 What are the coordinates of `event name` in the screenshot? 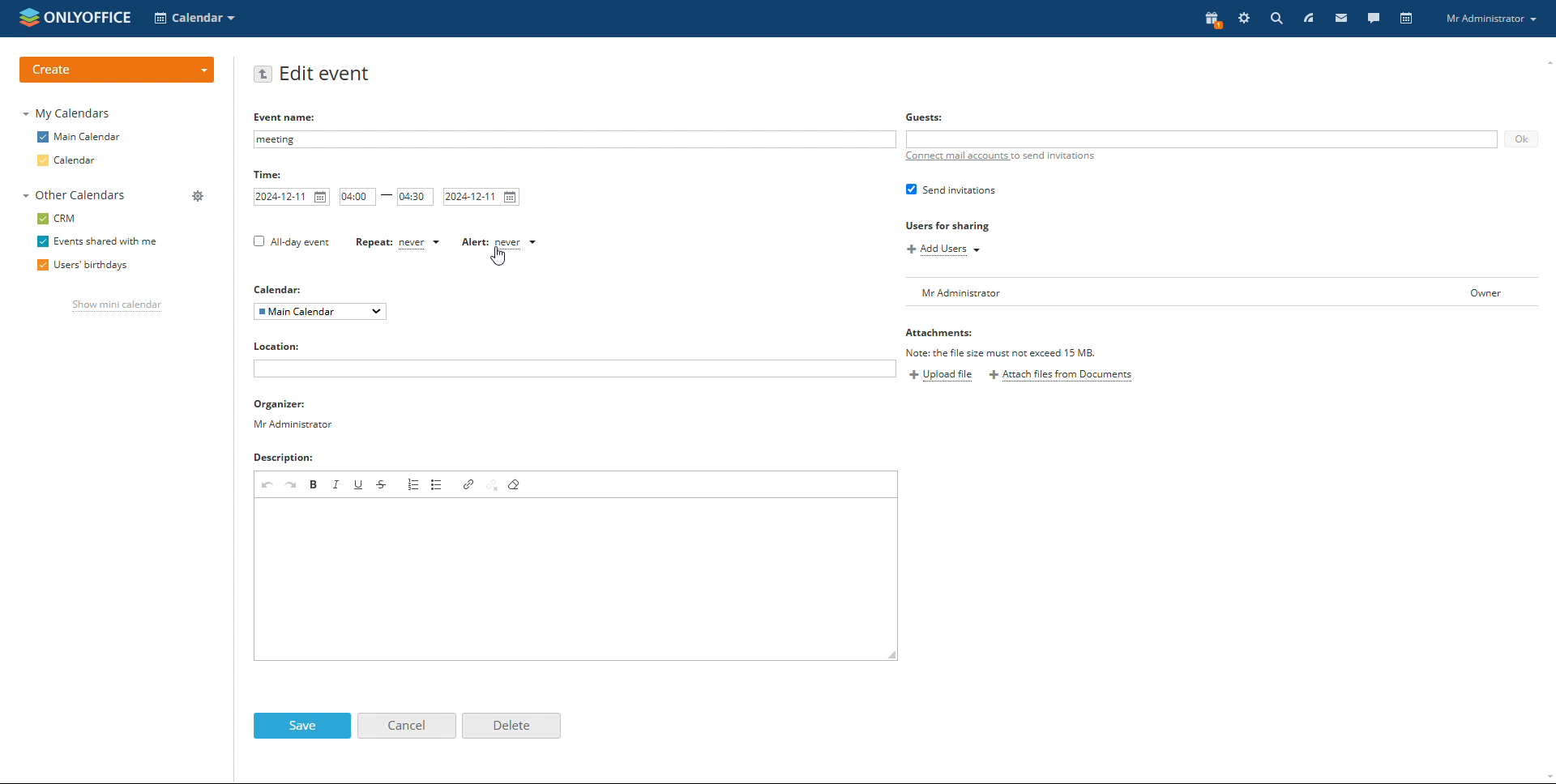 It's located at (575, 139).